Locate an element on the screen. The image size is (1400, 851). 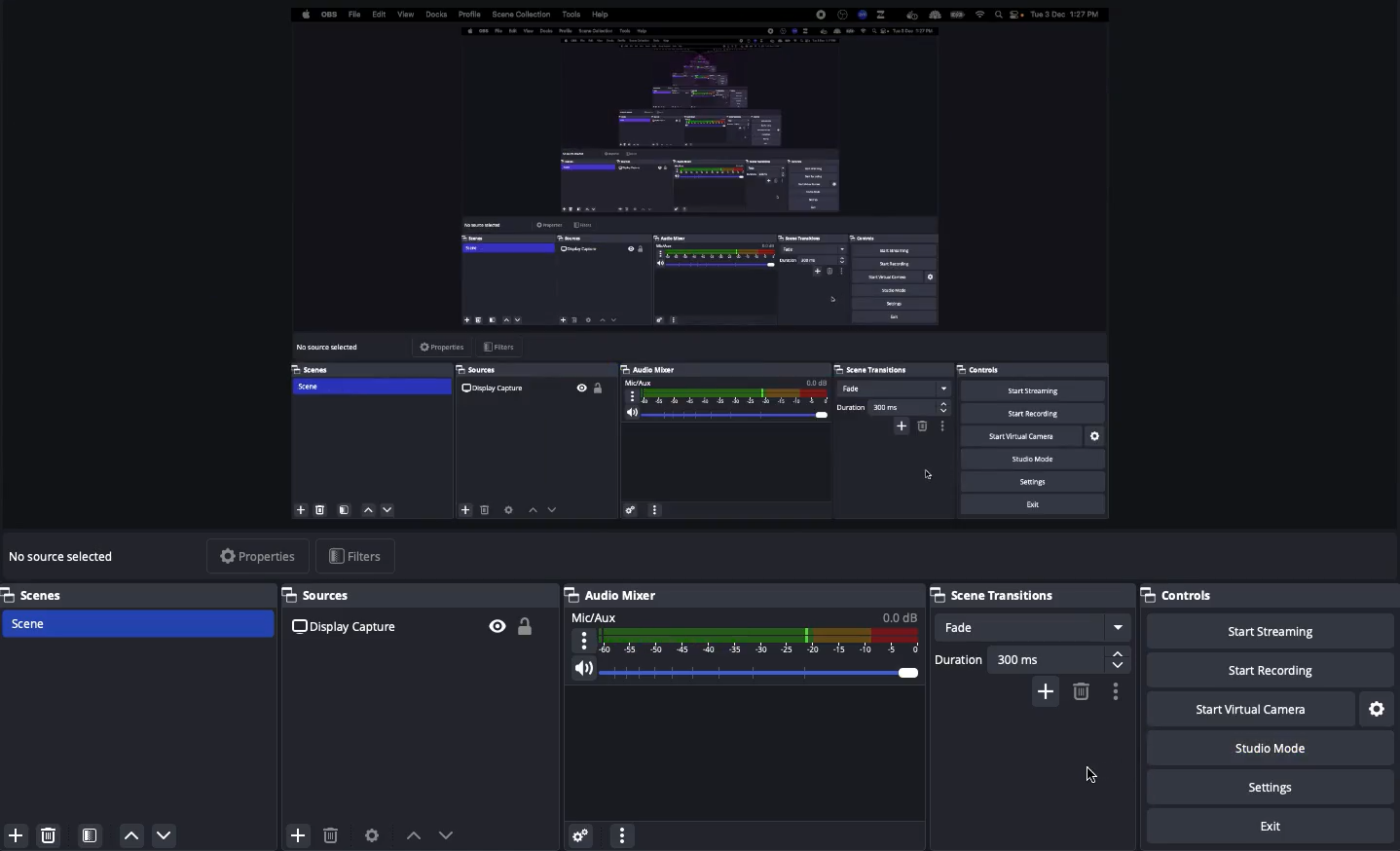
Volume is located at coordinates (742, 673).